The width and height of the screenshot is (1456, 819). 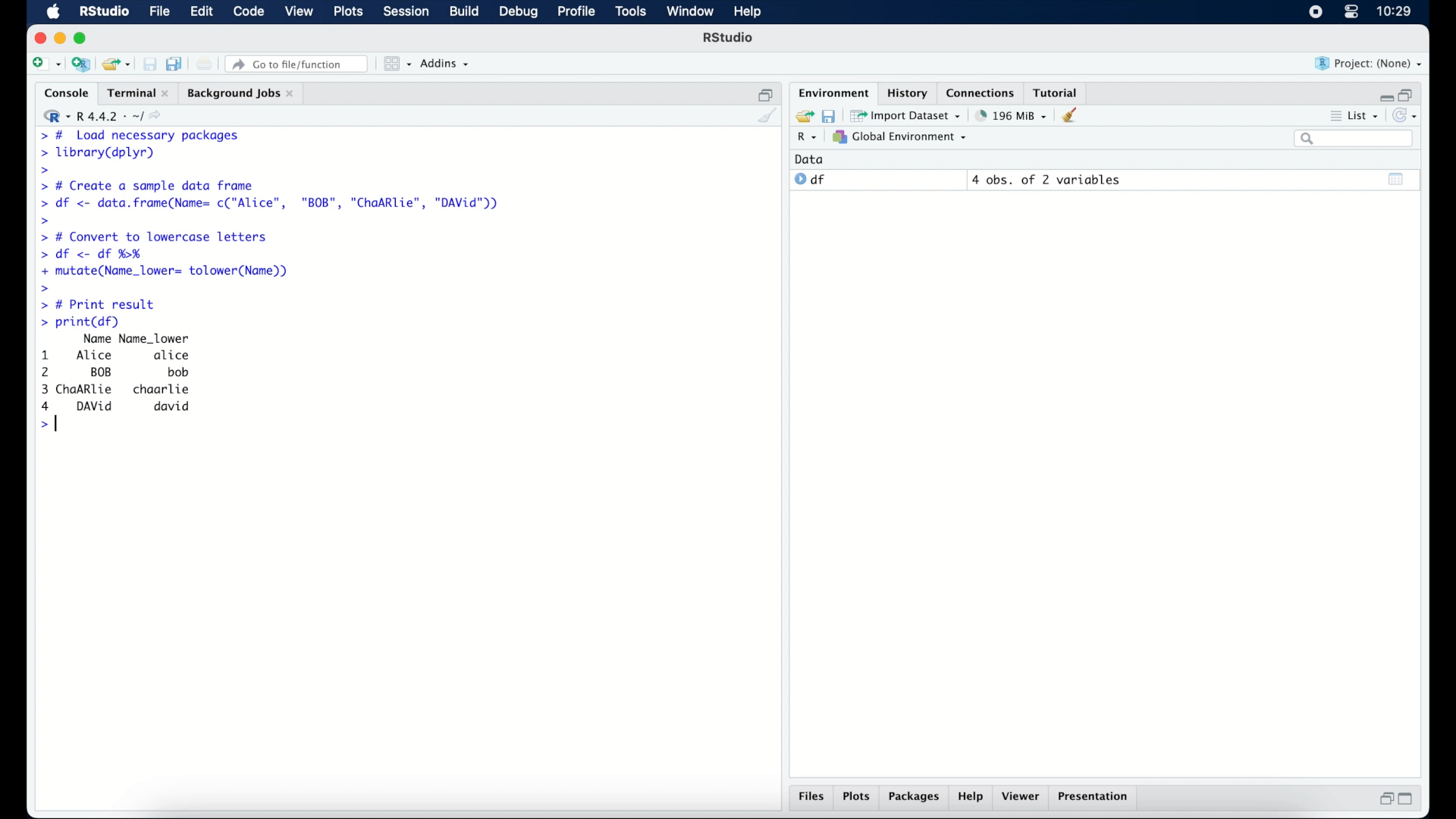 What do you see at coordinates (274, 204) in the screenshot?
I see `> df <- data.frame(Name= c("Alice", "BOB", "ChaARlie", "DAVid"))|` at bounding box center [274, 204].